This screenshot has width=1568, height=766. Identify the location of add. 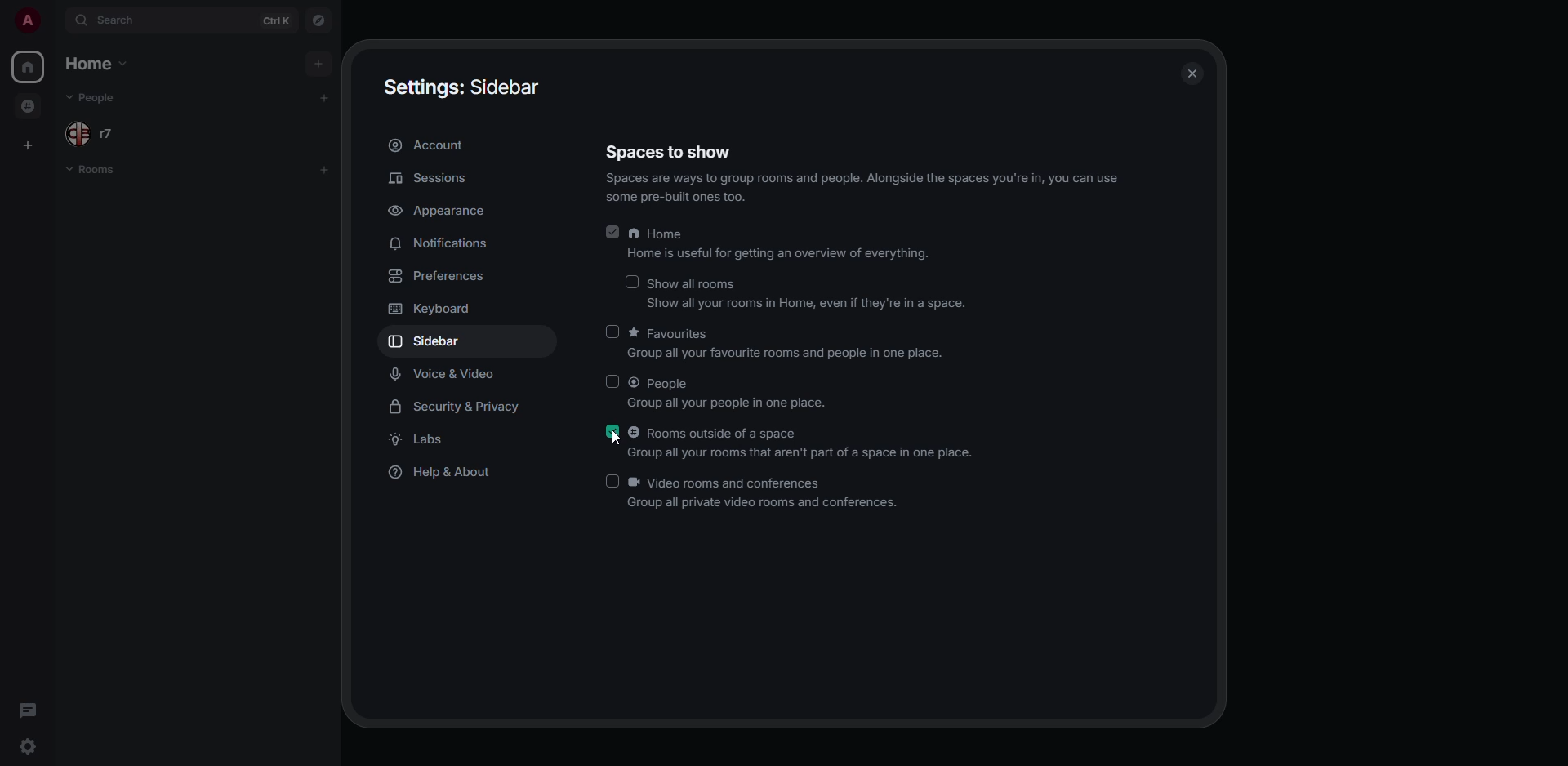
(328, 97).